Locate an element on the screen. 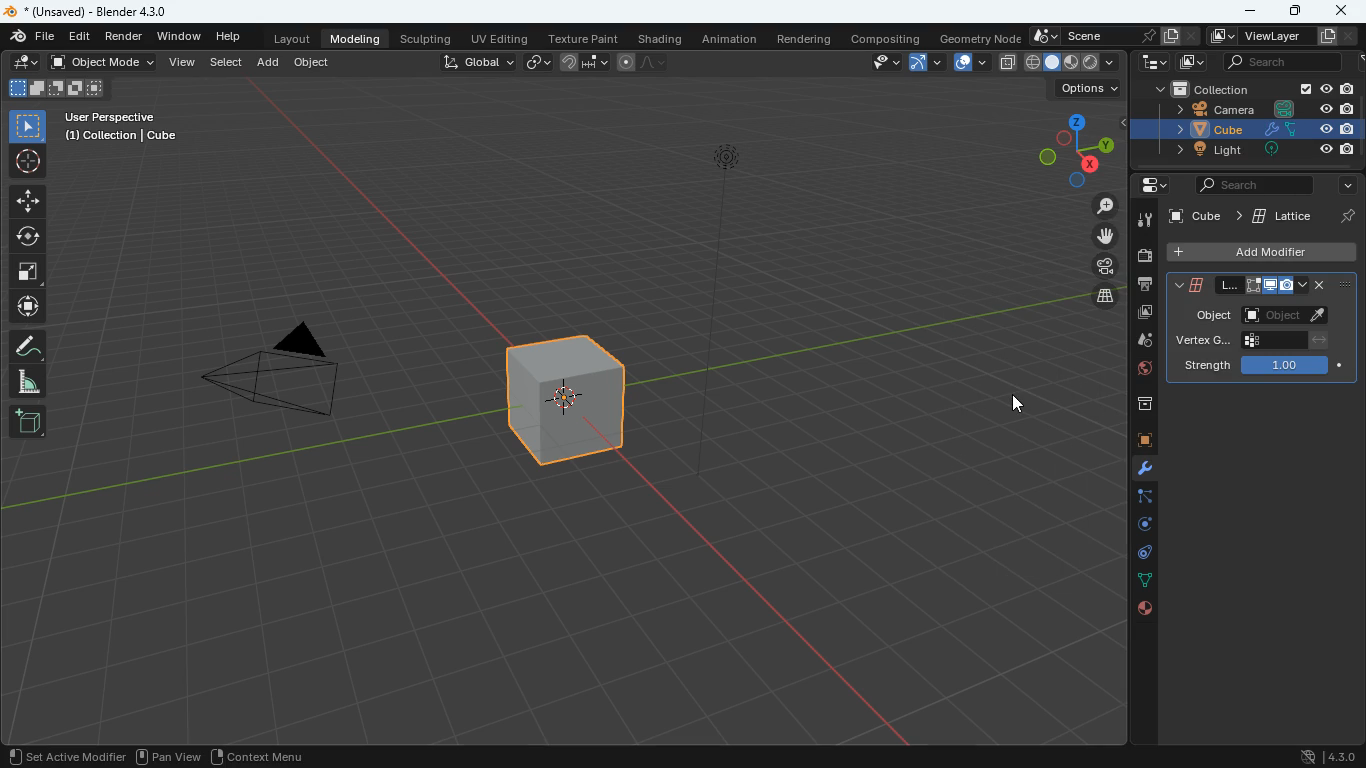  user perspective is located at coordinates (130, 125).